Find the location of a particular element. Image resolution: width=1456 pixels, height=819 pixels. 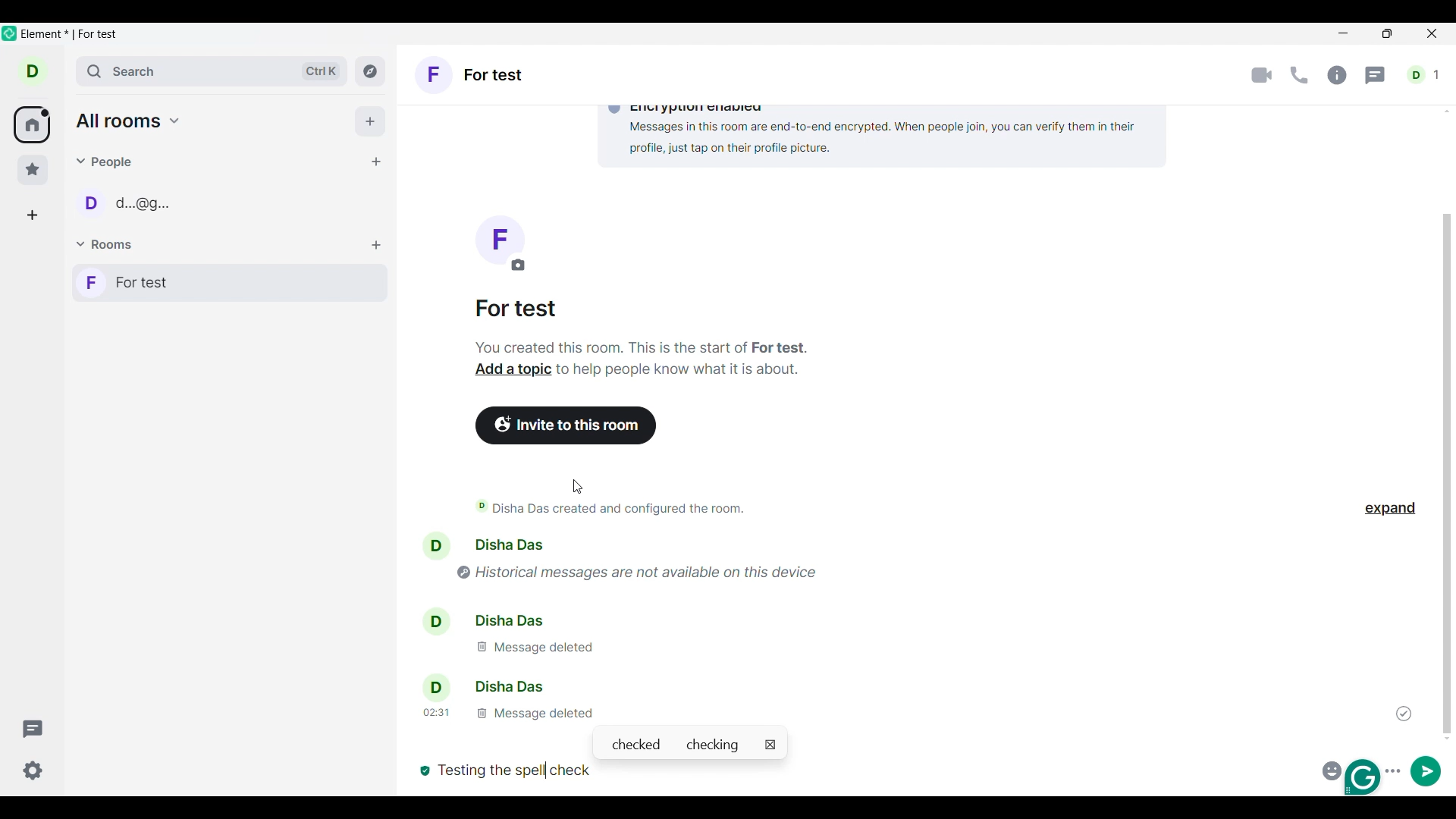

message deleted is located at coordinates (506, 712).